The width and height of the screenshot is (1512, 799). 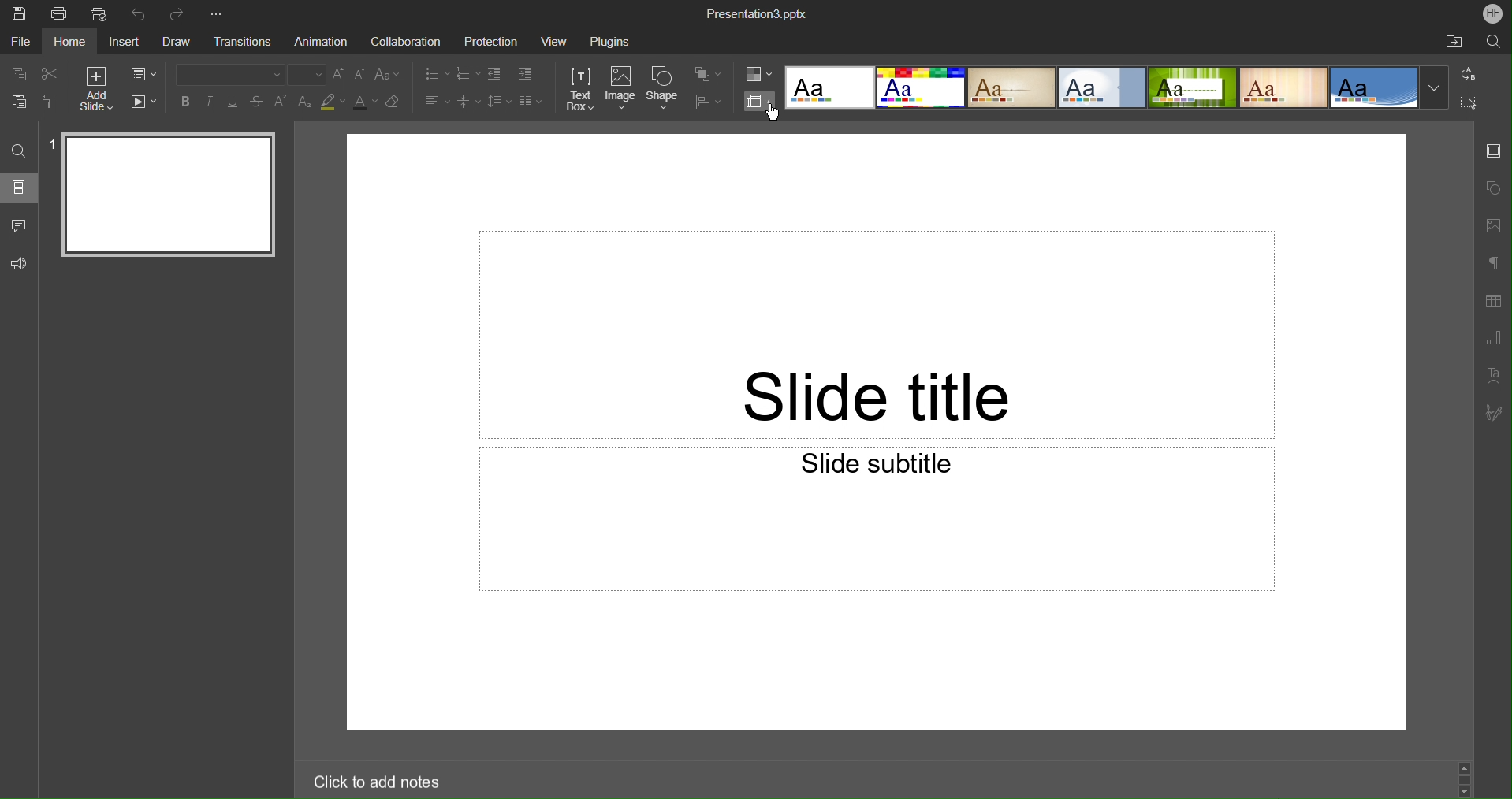 I want to click on Italics, so click(x=211, y=103).